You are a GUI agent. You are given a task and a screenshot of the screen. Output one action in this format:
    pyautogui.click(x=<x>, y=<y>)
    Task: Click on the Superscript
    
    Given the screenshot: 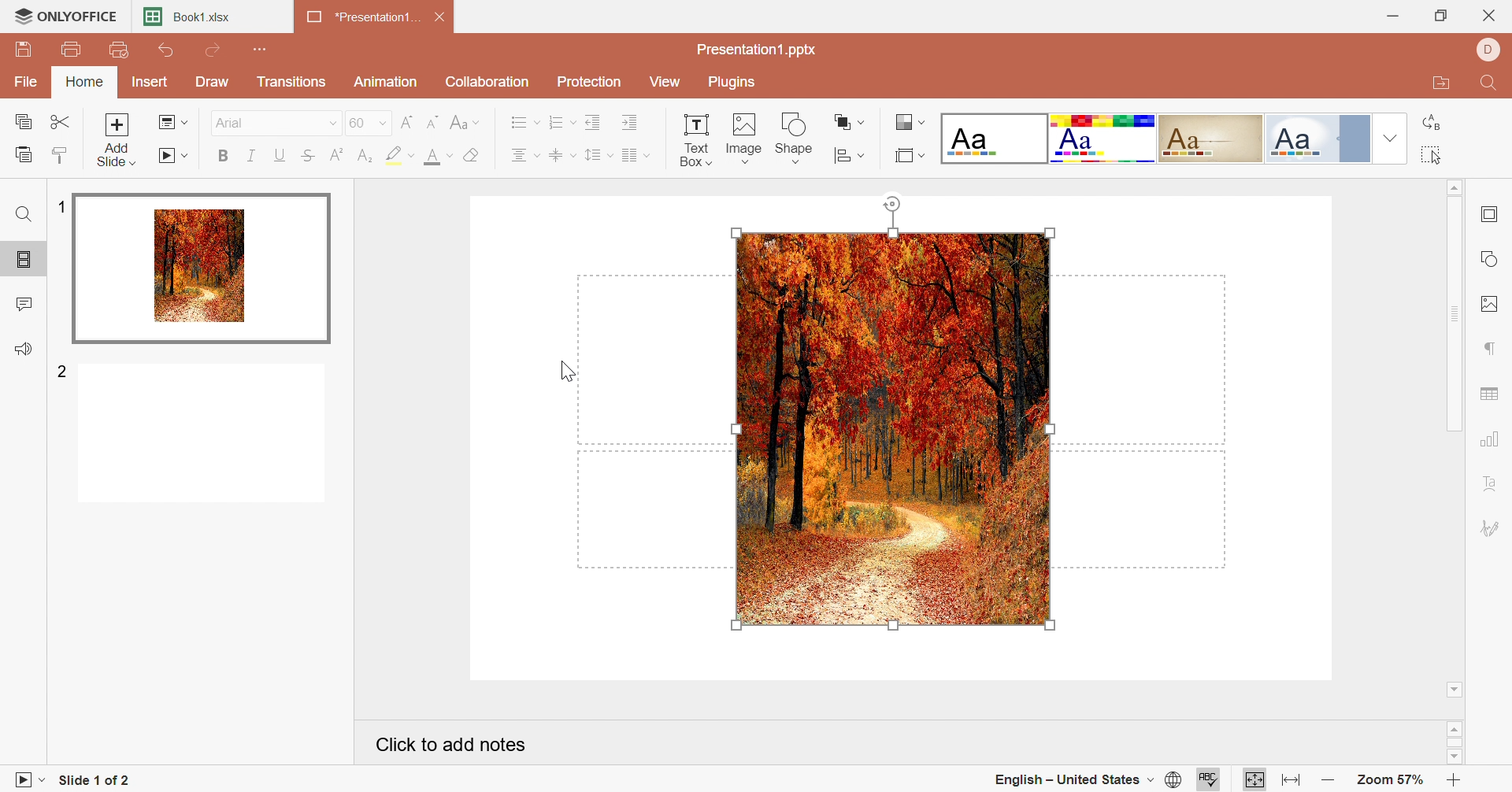 What is the action you would take?
    pyautogui.click(x=335, y=153)
    